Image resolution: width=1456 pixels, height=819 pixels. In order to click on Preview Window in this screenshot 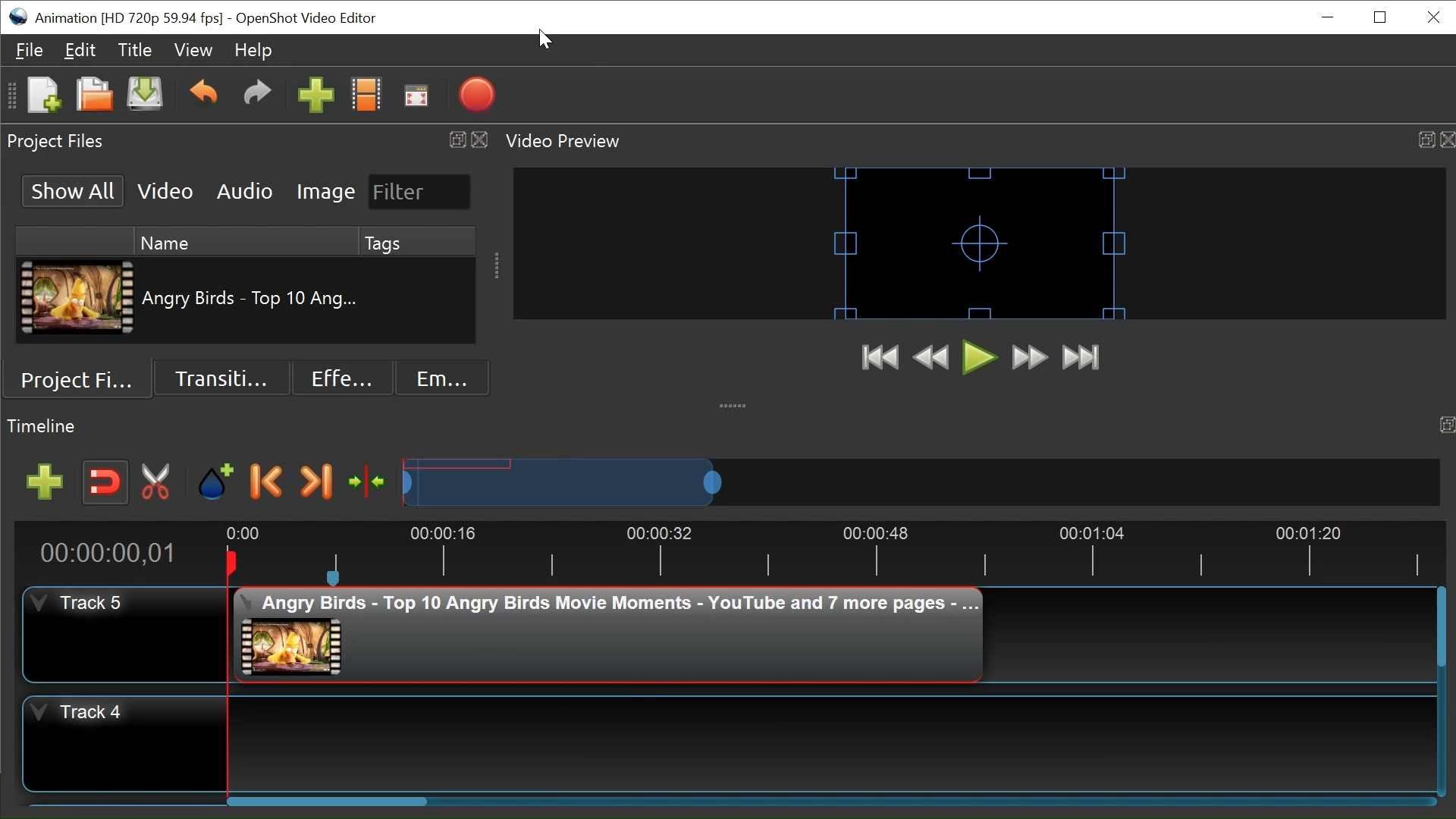, I will do `click(981, 243)`.